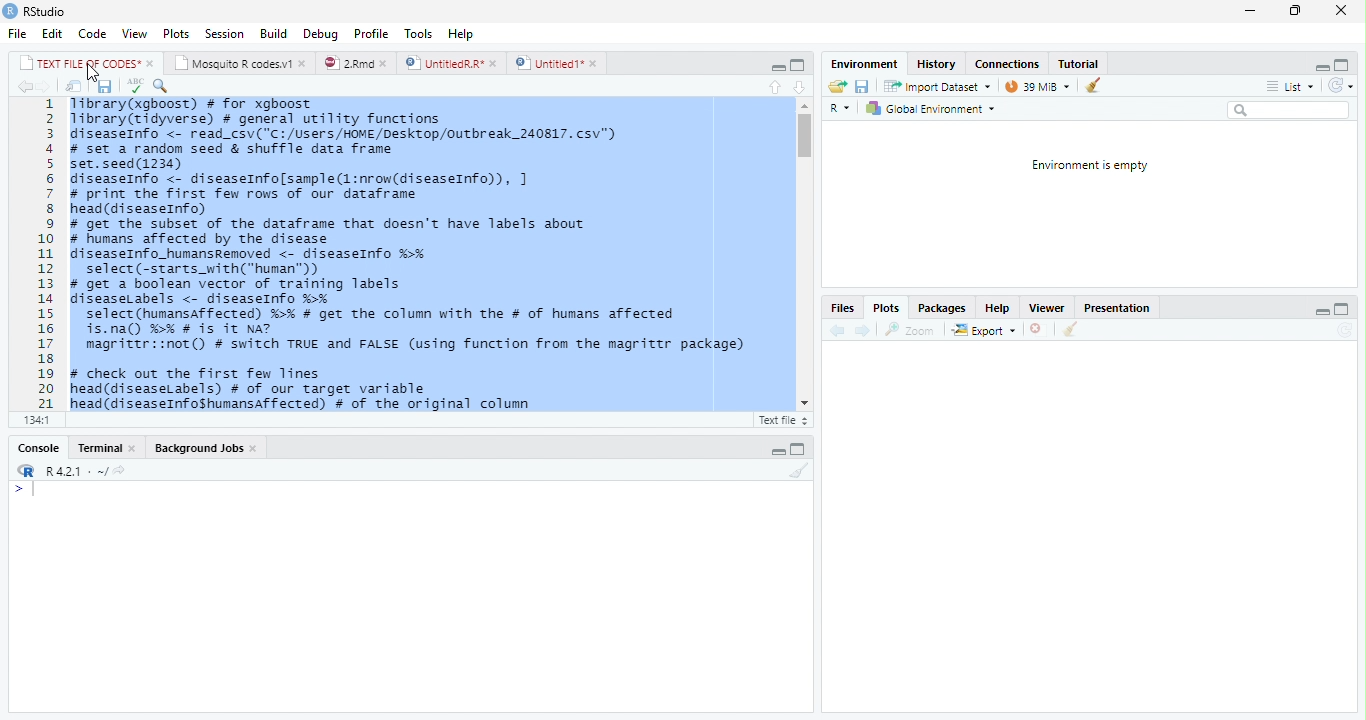  Describe the element at coordinates (1289, 85) in the screenshot. I see `List` at that location.